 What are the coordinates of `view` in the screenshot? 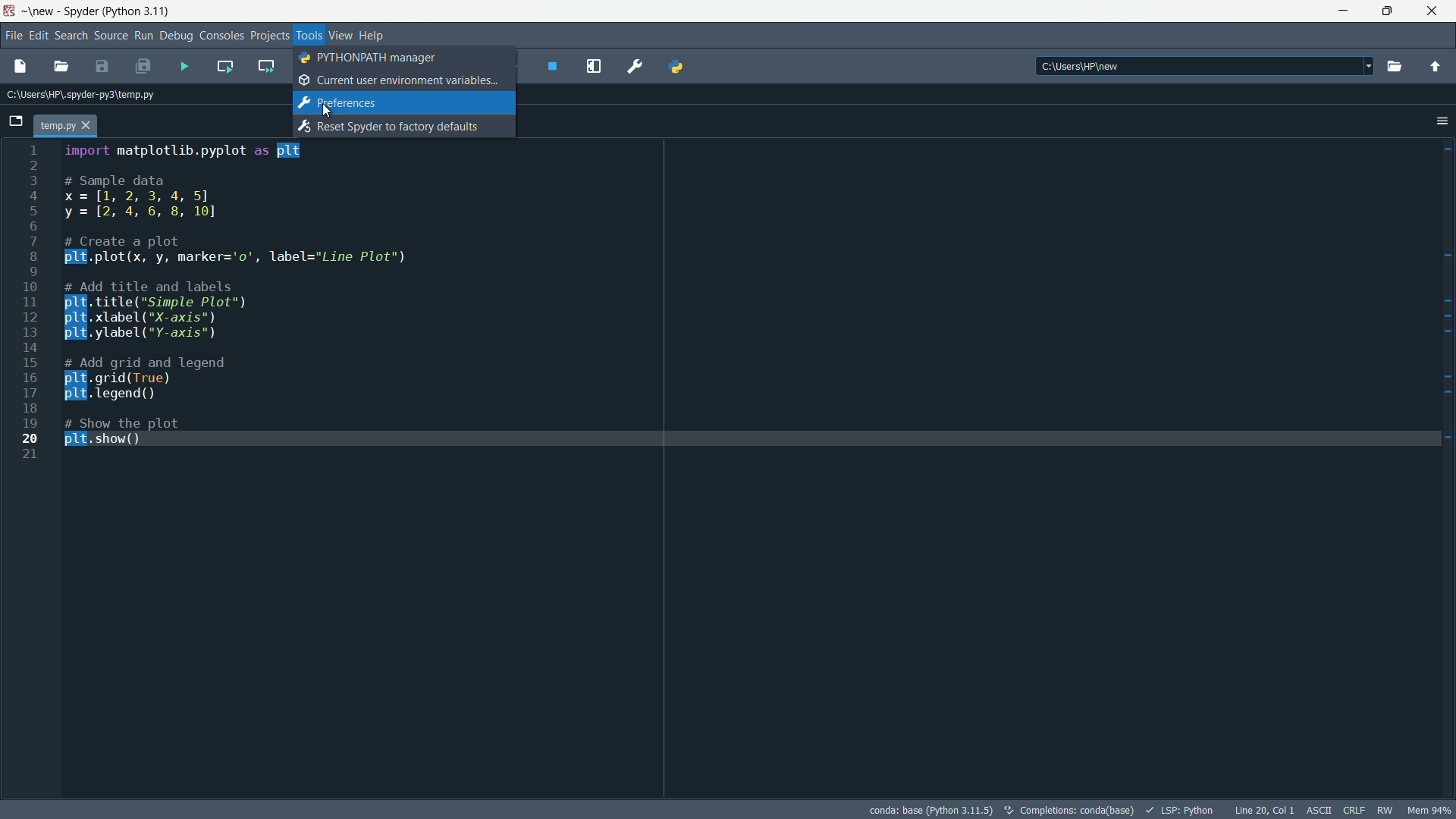 It's located at (341, 36).